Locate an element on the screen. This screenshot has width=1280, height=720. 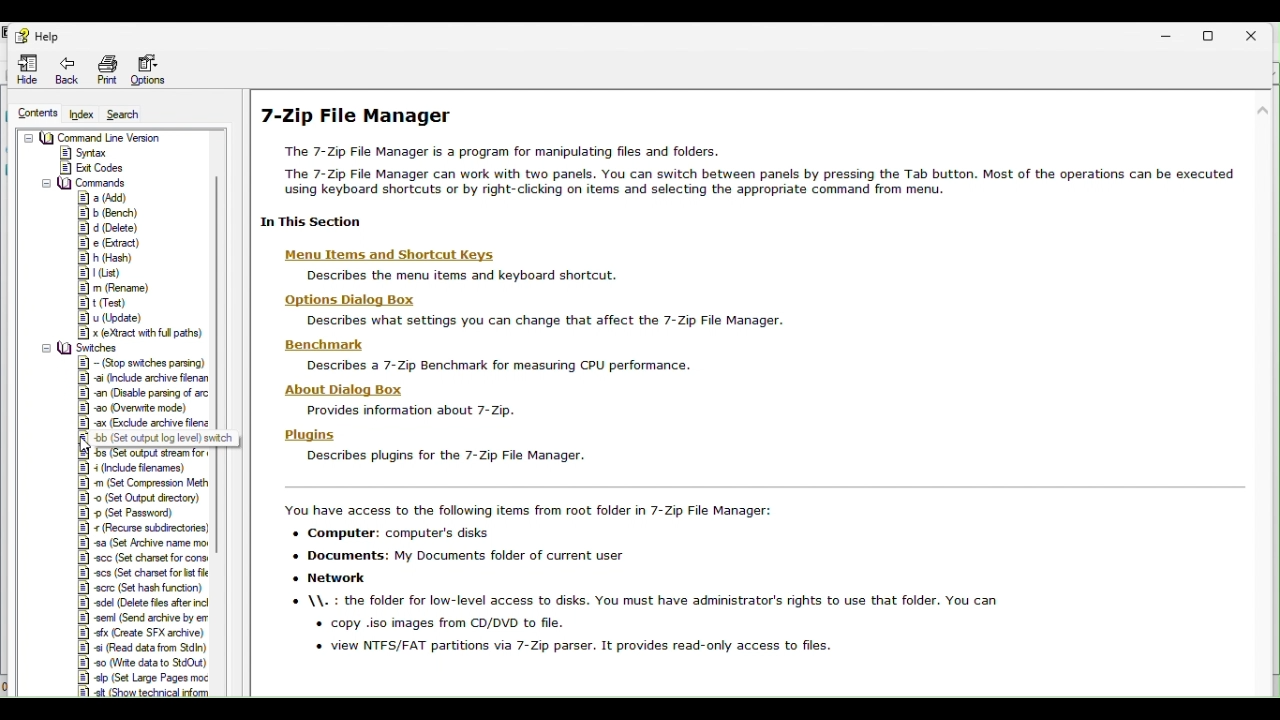
§] m (Rename) is located at coordinates (117, 288).